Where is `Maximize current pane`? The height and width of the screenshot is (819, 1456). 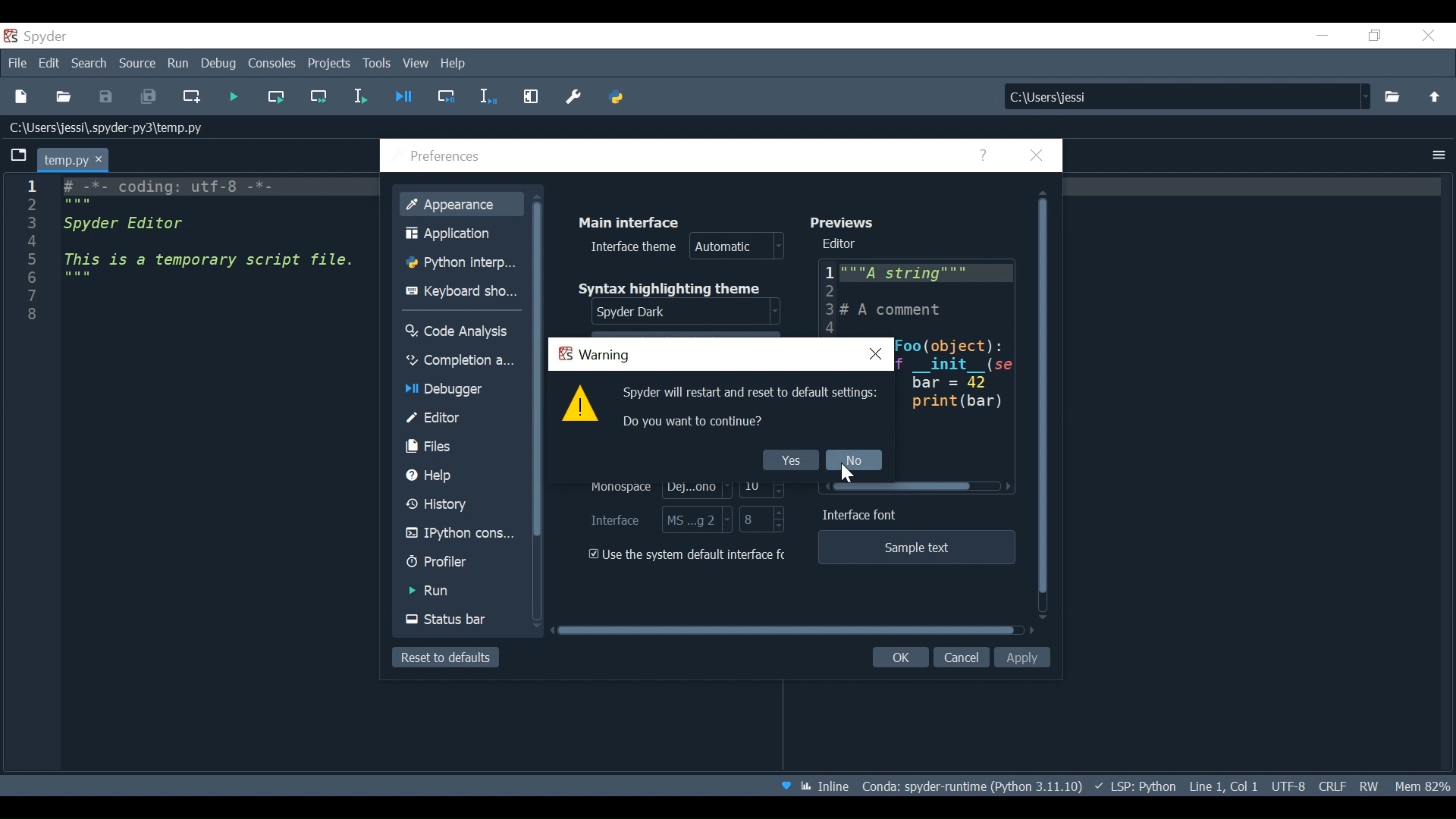 Maximize current pane is located at coordinates (531, 99).